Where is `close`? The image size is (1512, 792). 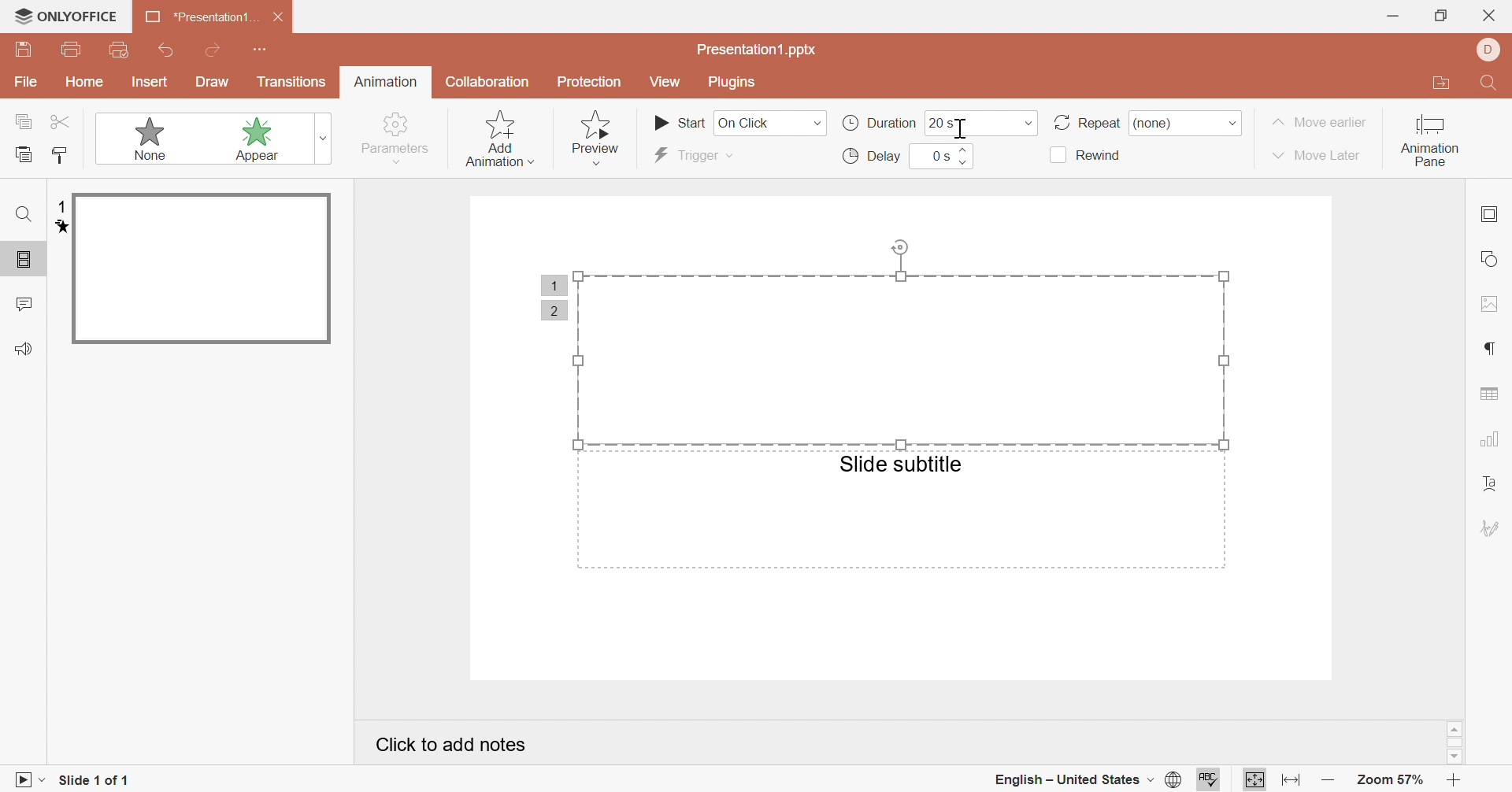
close is located at coordinates (280, 16).